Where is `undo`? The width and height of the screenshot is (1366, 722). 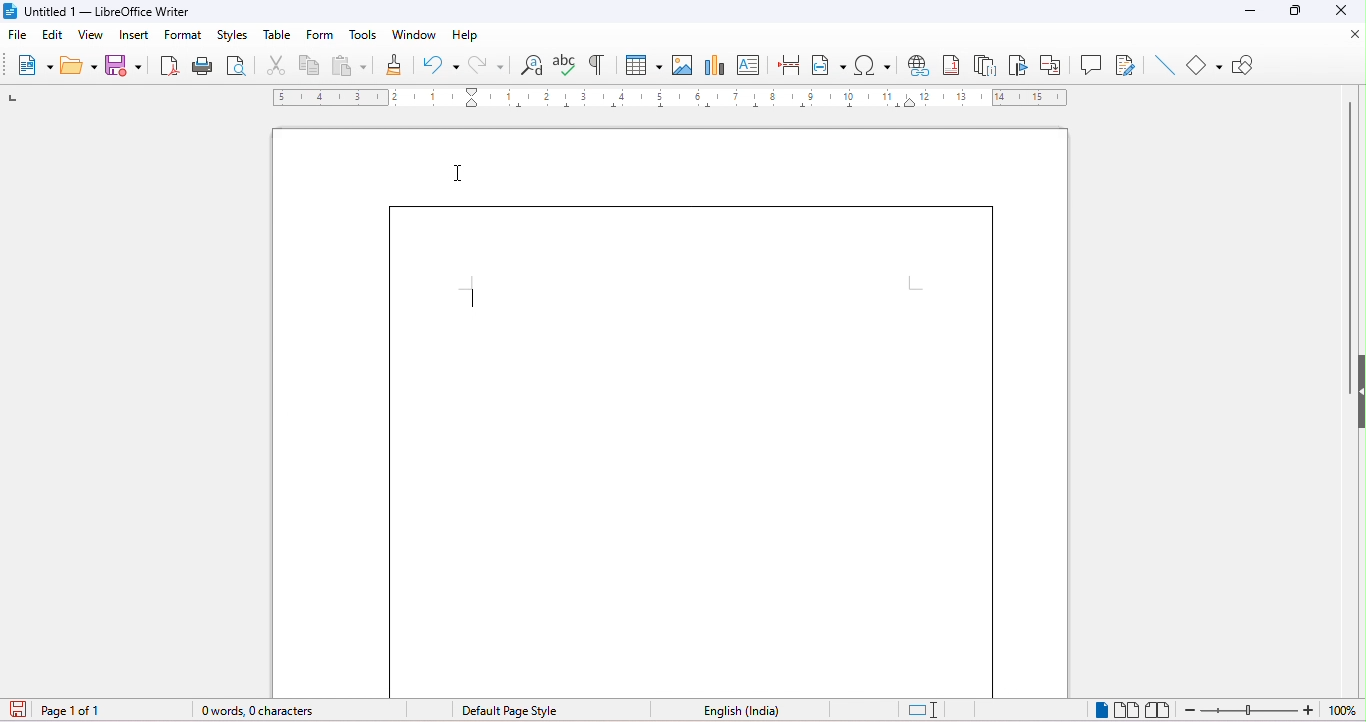 undo is located at coordinates (439, 64).